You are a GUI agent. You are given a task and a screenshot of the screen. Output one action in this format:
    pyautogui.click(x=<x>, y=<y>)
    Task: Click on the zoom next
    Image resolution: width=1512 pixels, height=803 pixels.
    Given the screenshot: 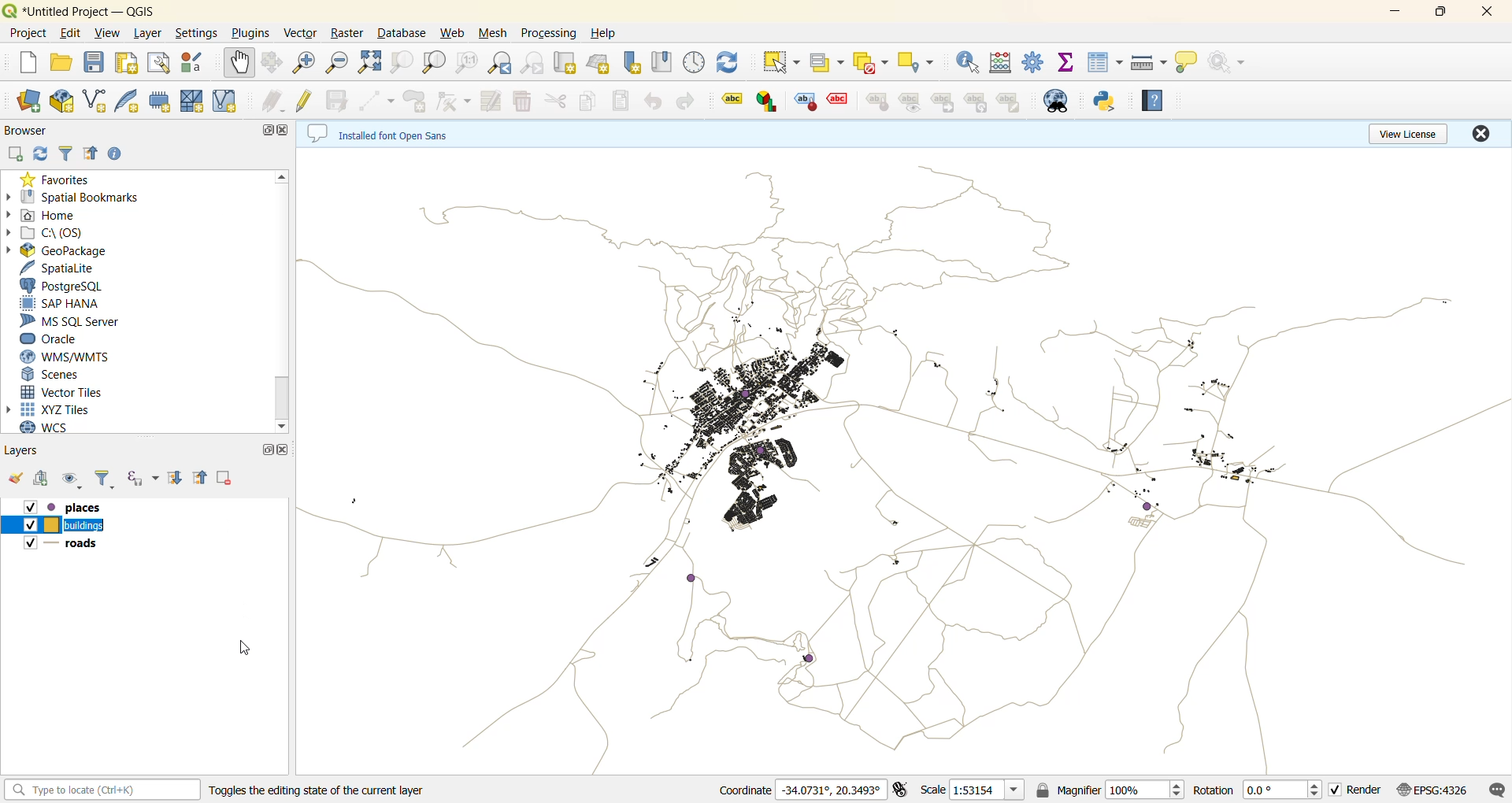 What is the action you would take?
    pyautogui.click(x=536, y=62)
    